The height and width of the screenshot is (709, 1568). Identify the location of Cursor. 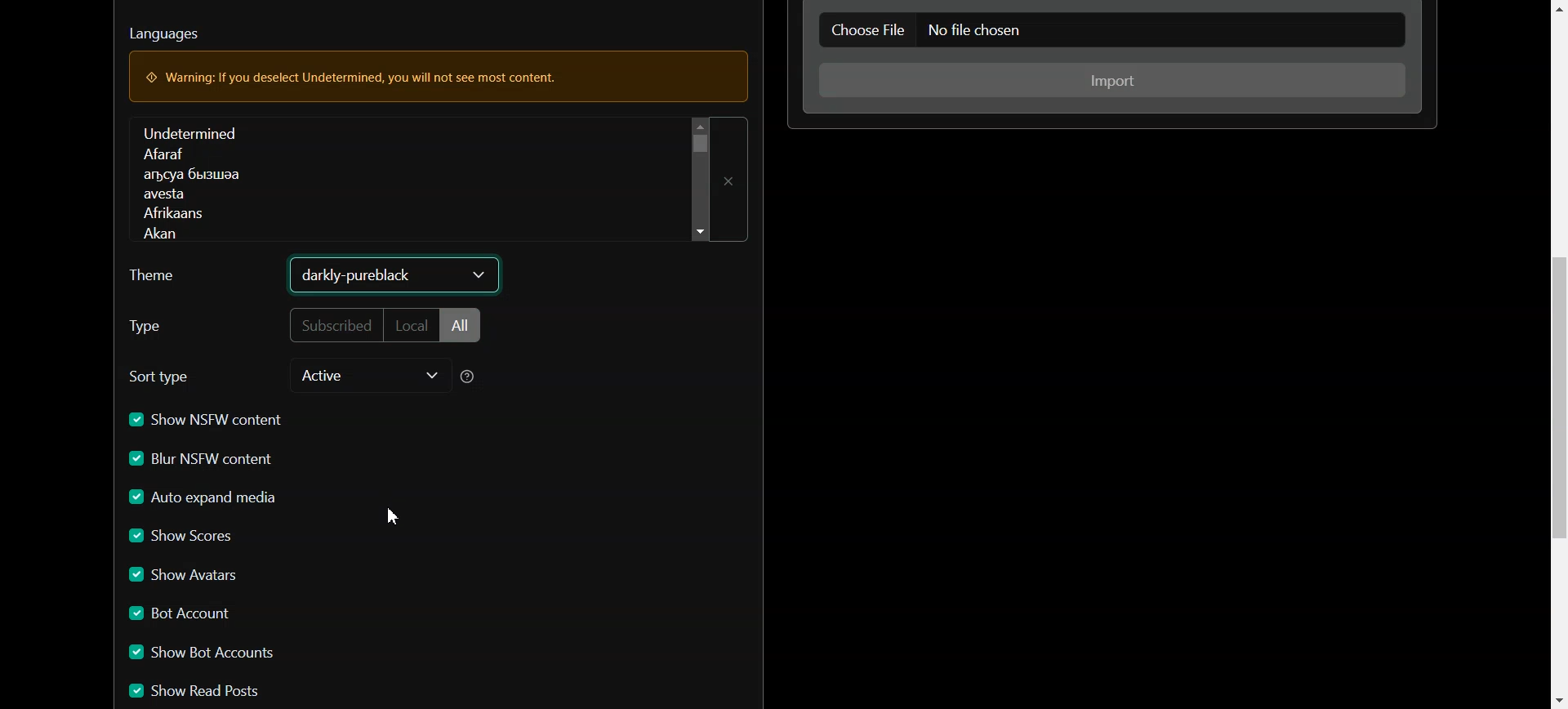
(392, 517).